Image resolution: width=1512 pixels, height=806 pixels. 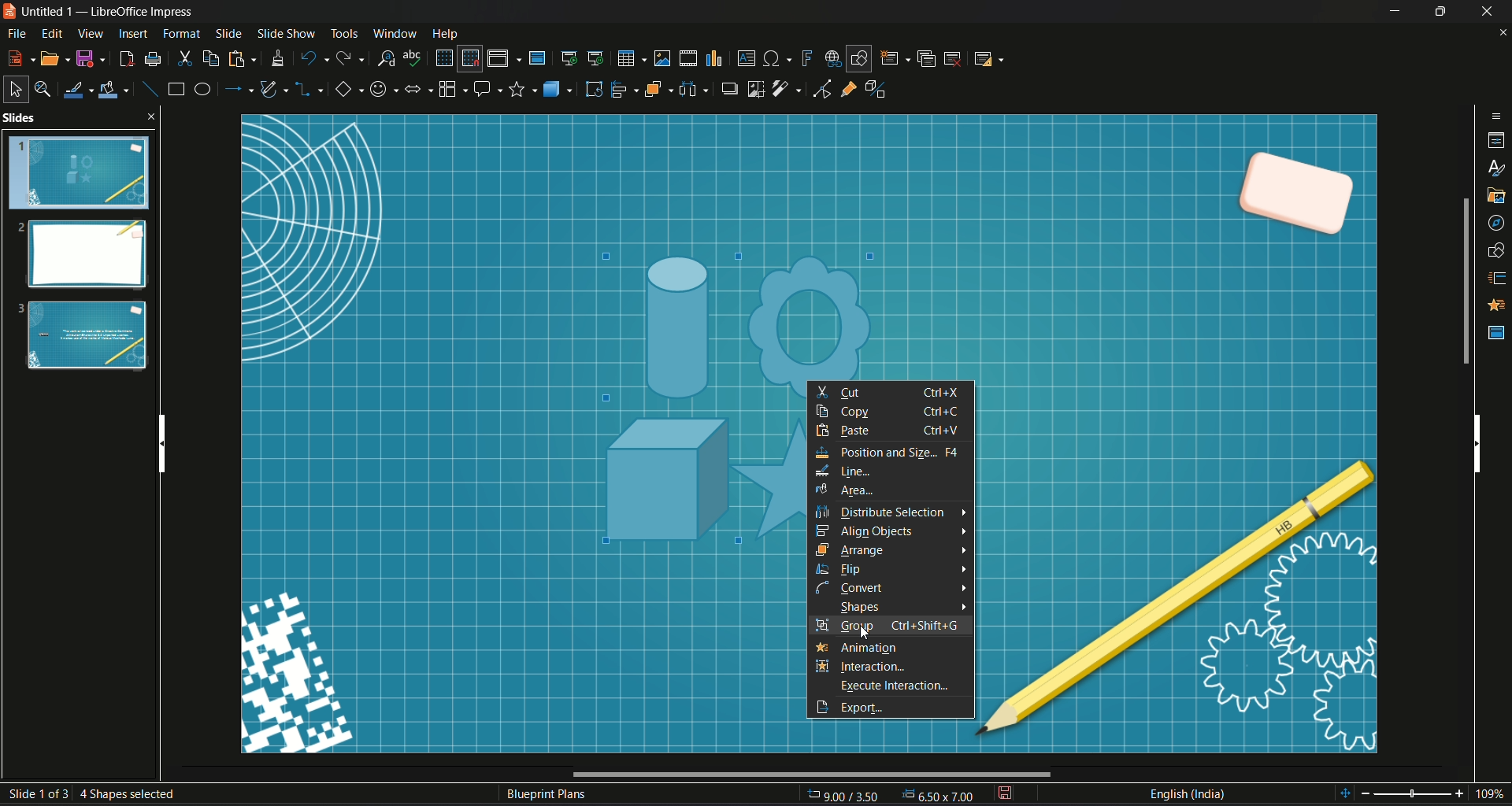 What do you see at coordinates (413, 57) in the screenshot?
I see `spelling` at bounding box center [413, 57].